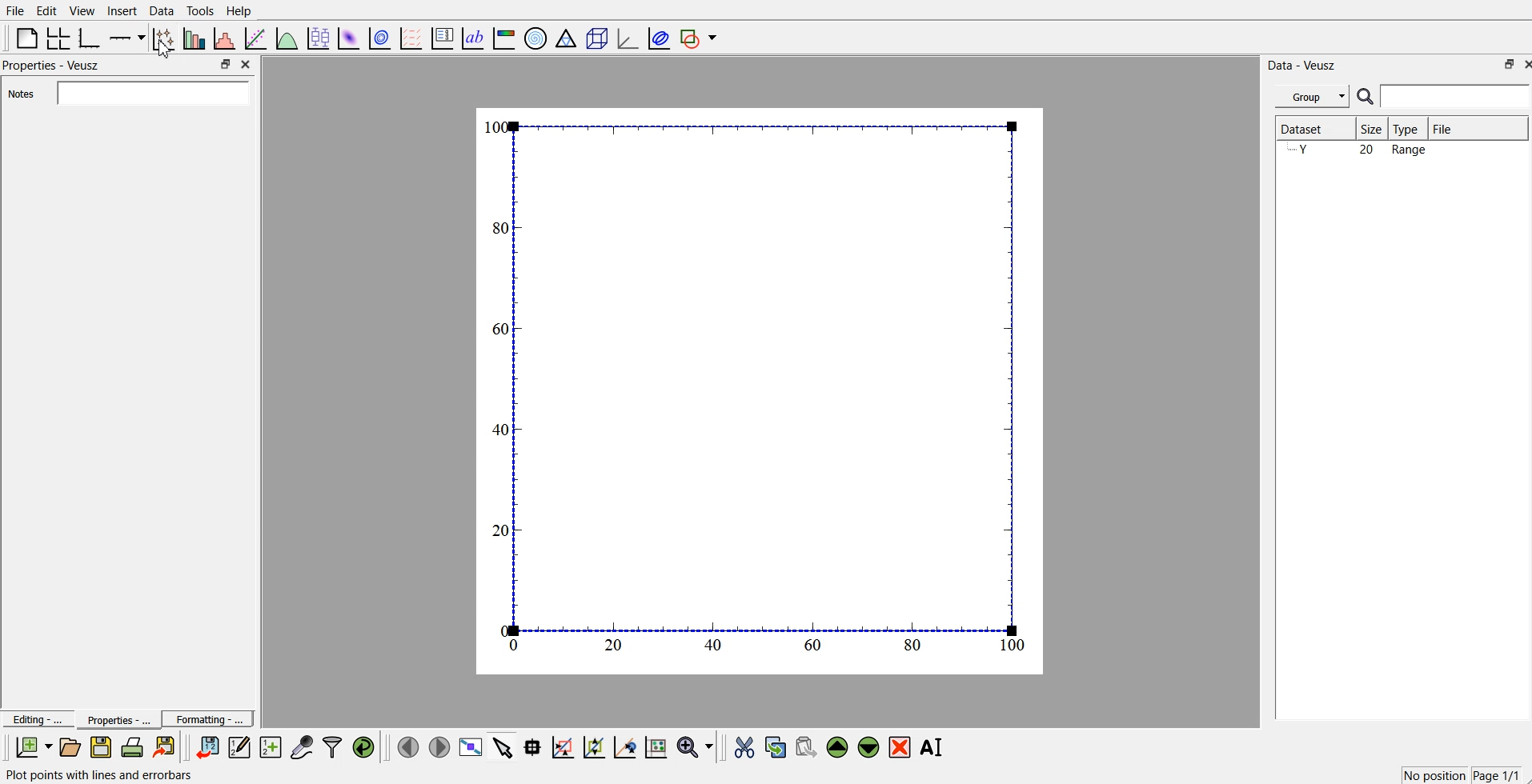 The height and width of the screenshot is (784, 1532). Describe the element at coordinates (90, 37) in the screenshot. I see `base graph` at that location.